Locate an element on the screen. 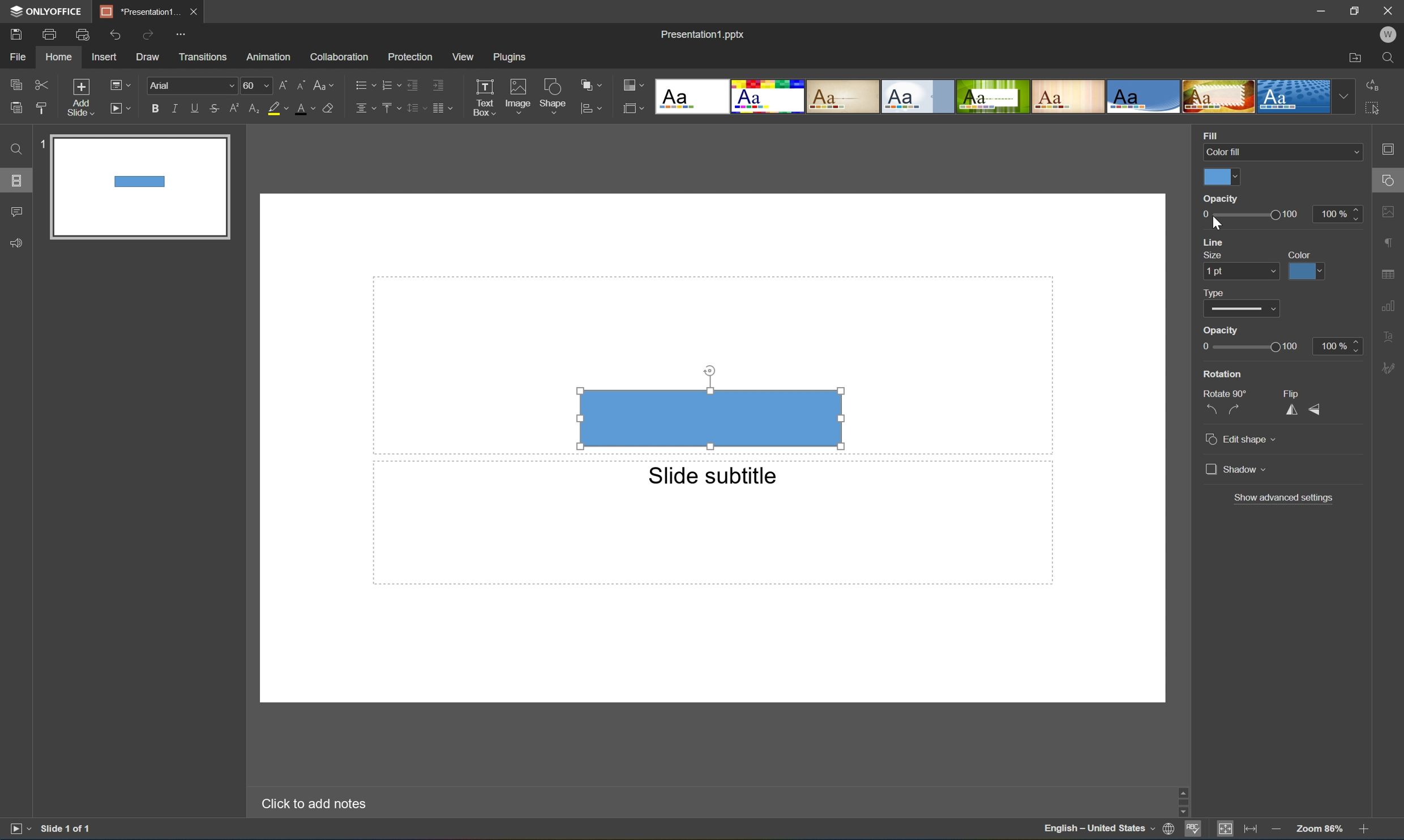 The width and height of the screenshot is (1404, 840). Minimize is located at coordinates (1316, 10).